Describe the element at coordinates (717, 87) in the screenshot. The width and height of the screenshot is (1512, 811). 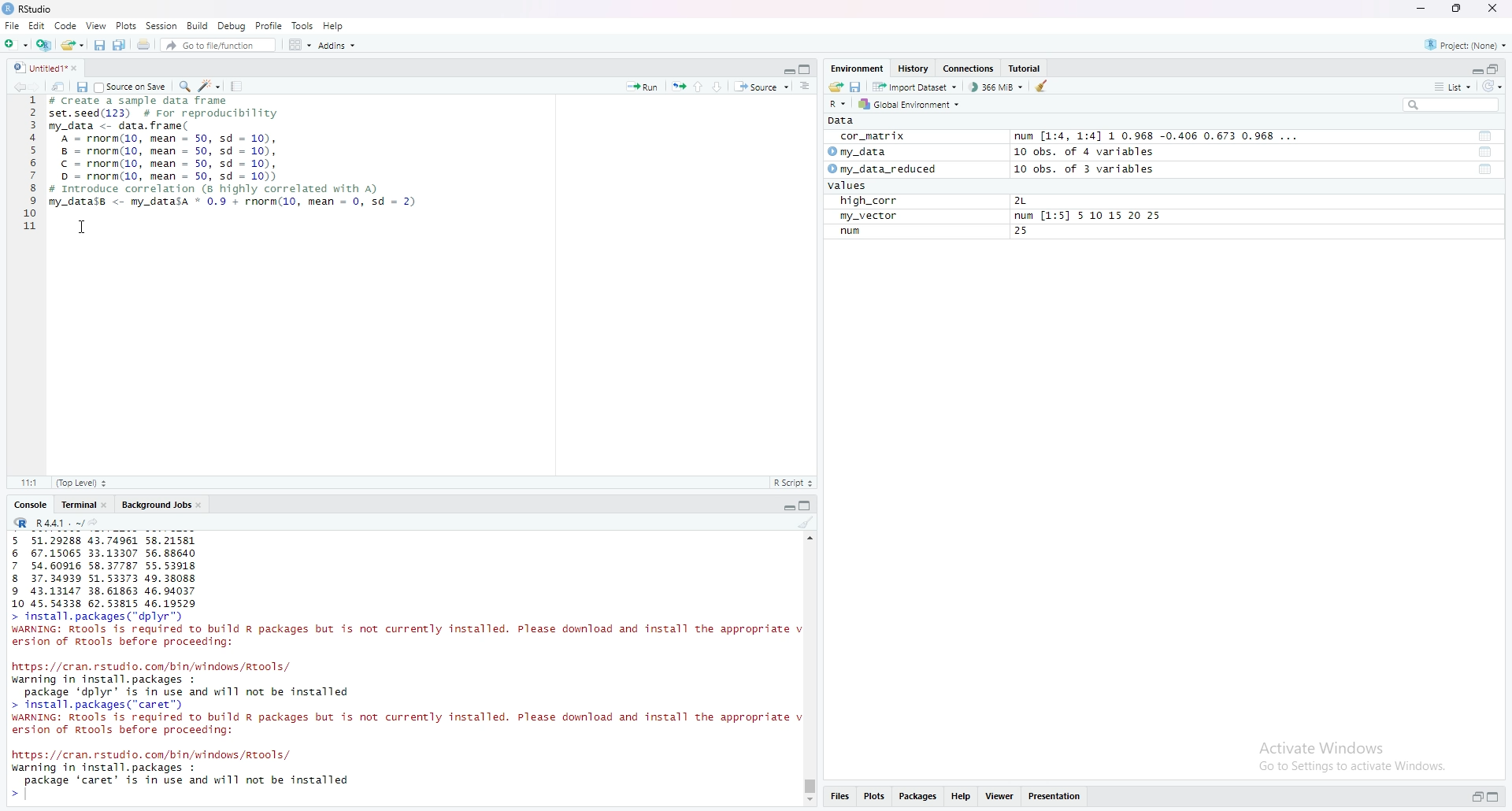
I see `Down ` at that location.